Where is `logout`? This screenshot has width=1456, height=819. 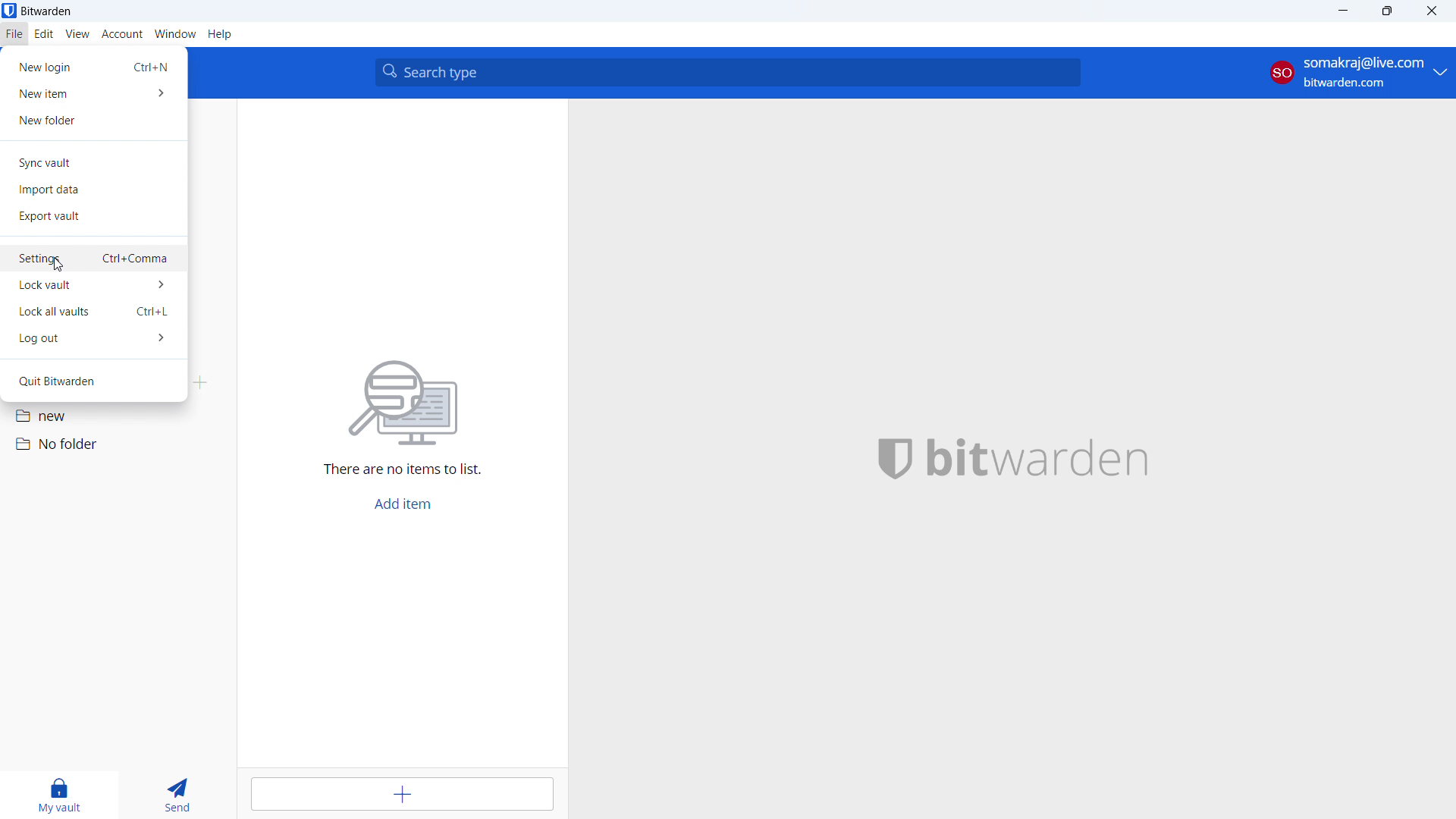 logout is located at coordinates (94, 338).